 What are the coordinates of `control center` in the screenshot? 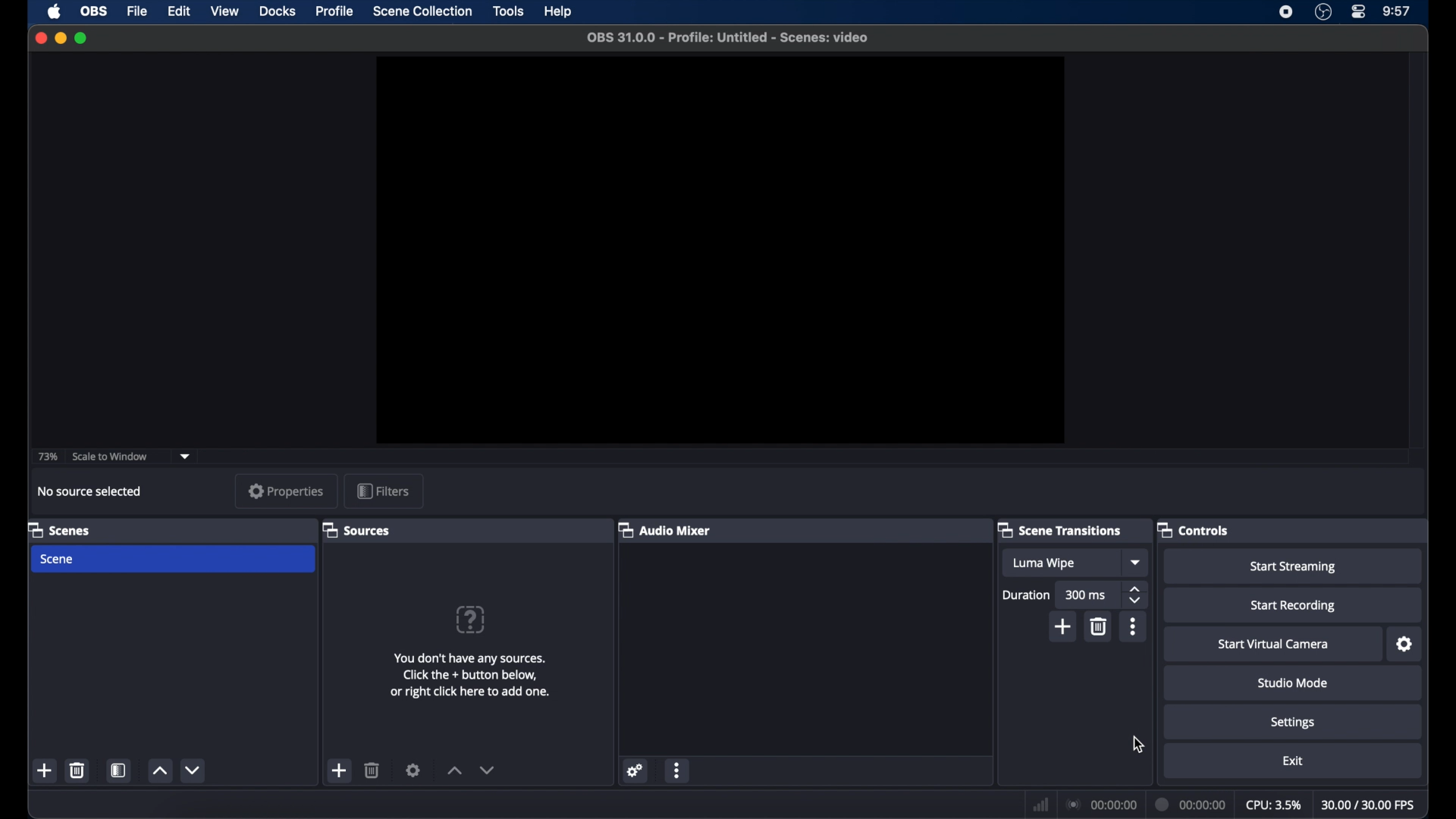 It's located at (1360, 12).